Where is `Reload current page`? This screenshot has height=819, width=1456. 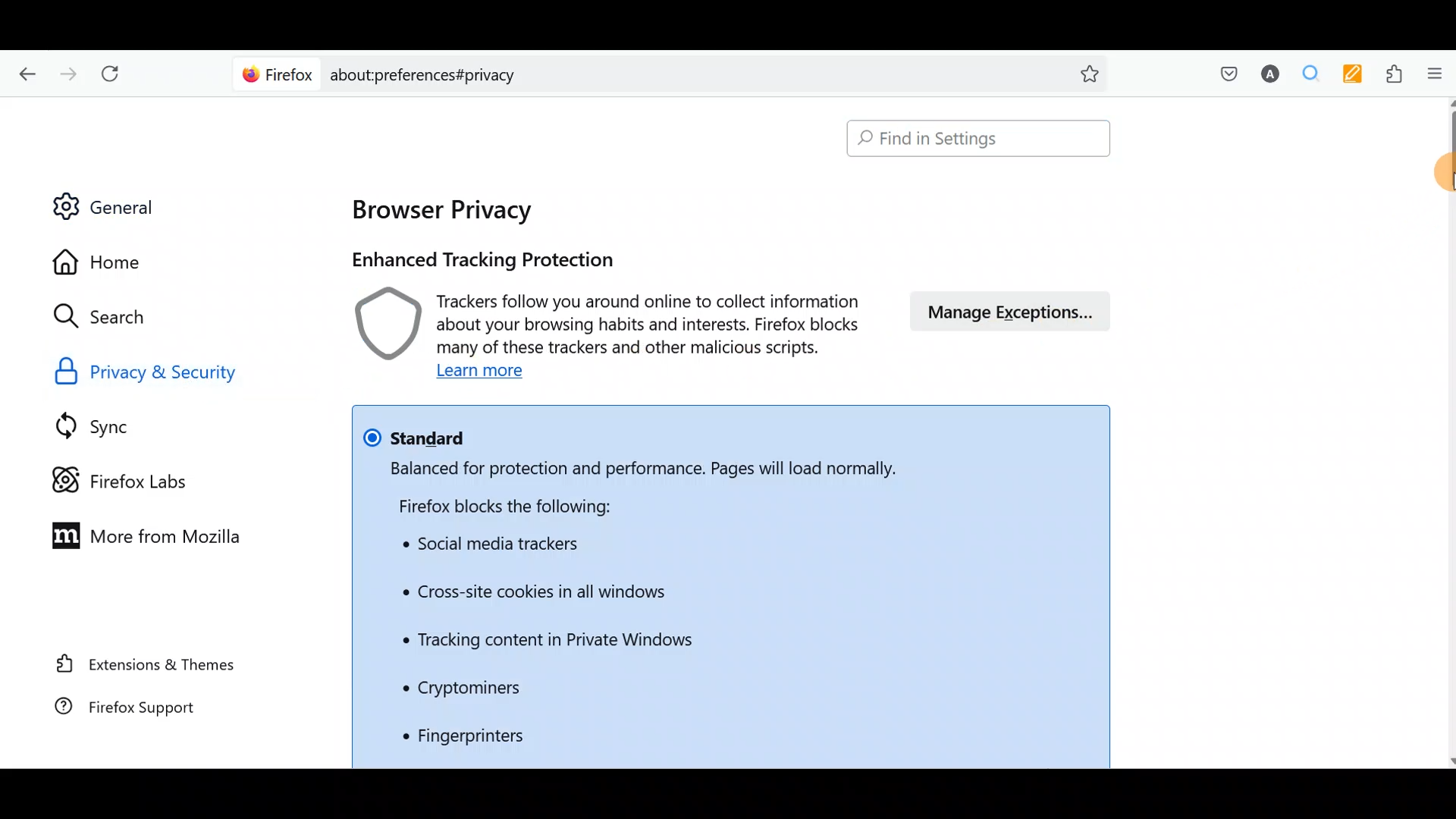
Reload current page is located at coordinates (115, 74).